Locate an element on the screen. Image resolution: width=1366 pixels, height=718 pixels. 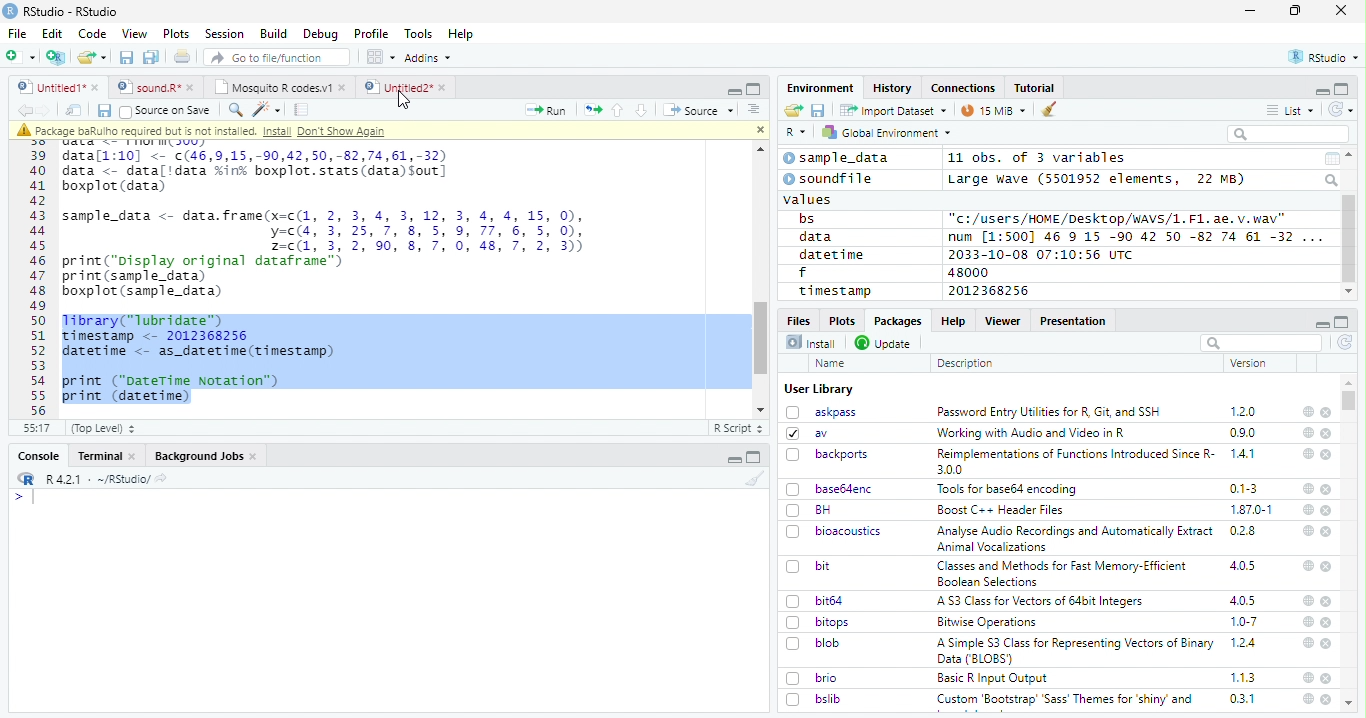
Console is located at coordinates (38, 456).